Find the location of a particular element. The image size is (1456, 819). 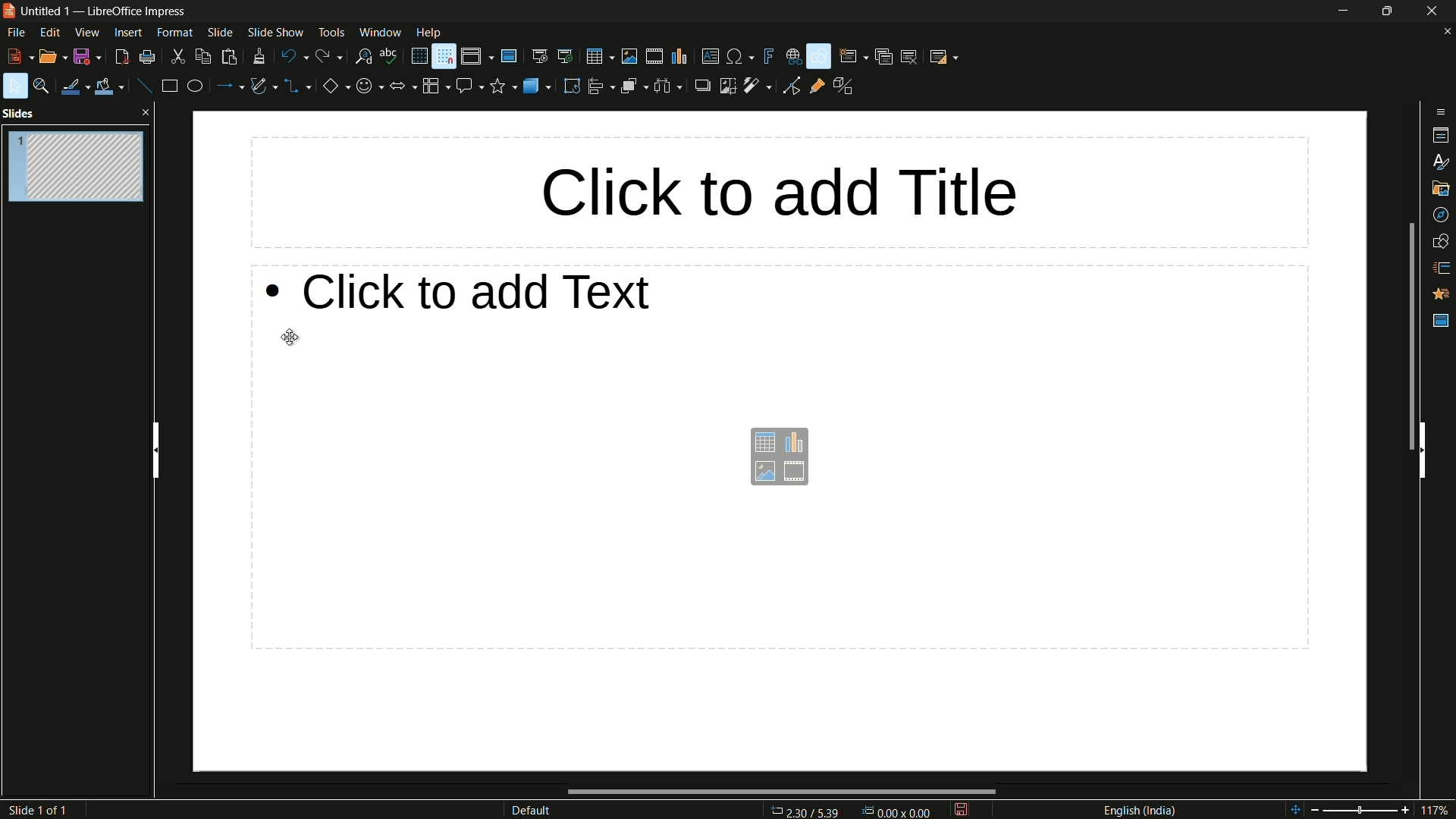

insert textbox is located at coordinates (710, 55).